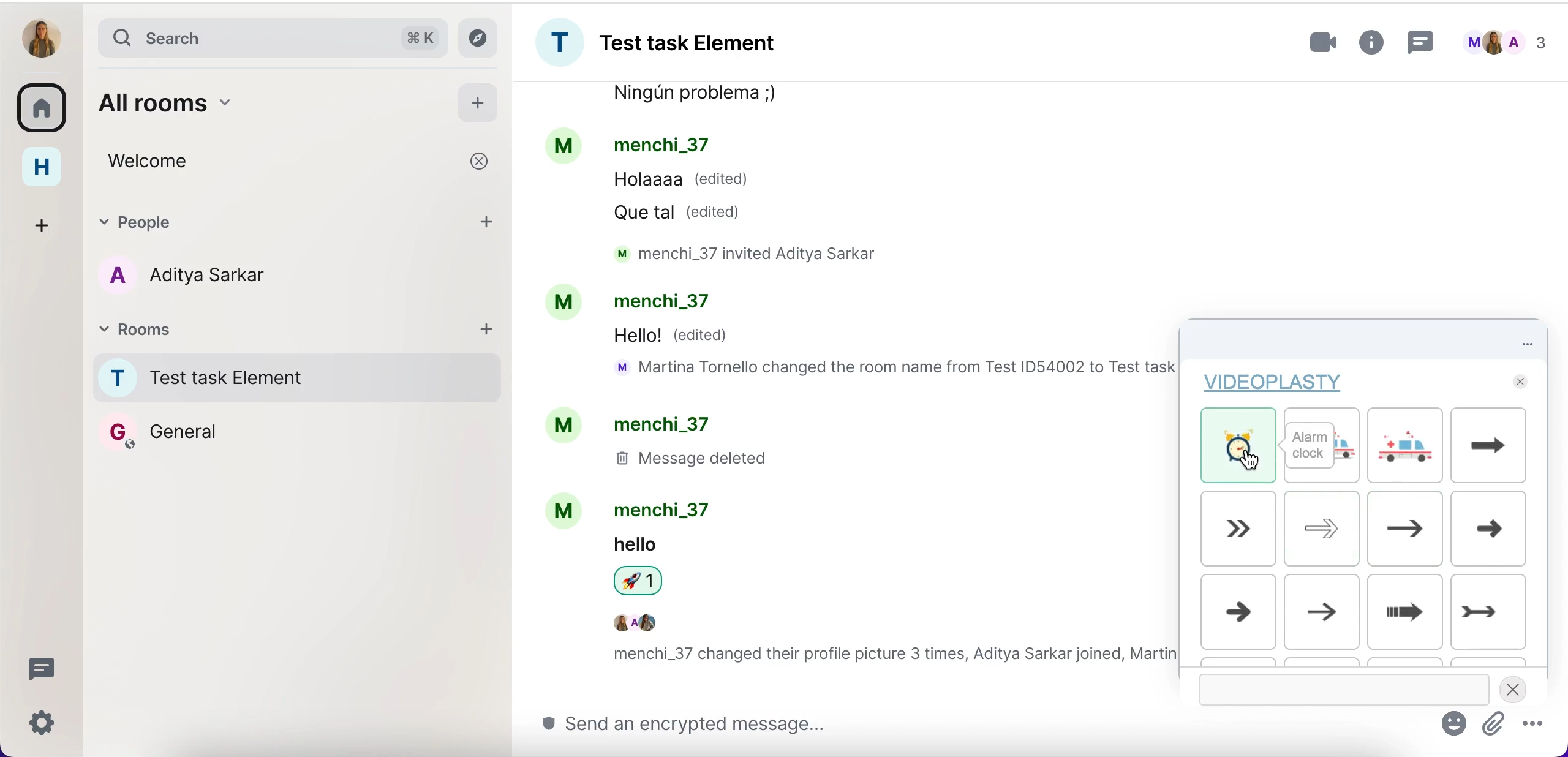 The width and height of the screenshot is (1568, 757). Describe the element at coordinates (851, 724) in the screenshot. I see `send message` at that location.